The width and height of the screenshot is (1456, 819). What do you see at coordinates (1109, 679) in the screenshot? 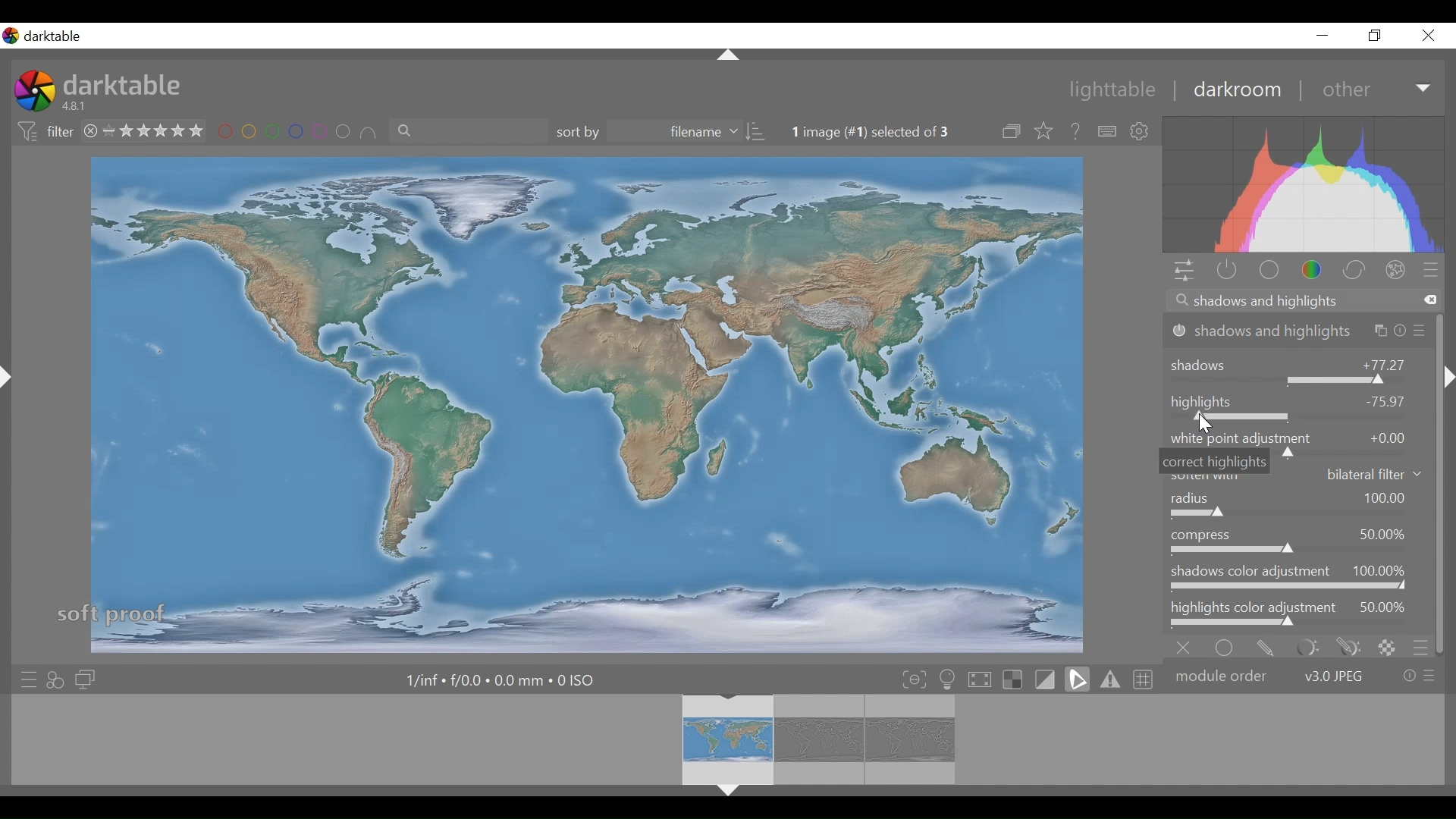
I see `toggle gamut checking` at bounding box center [1109, 679].